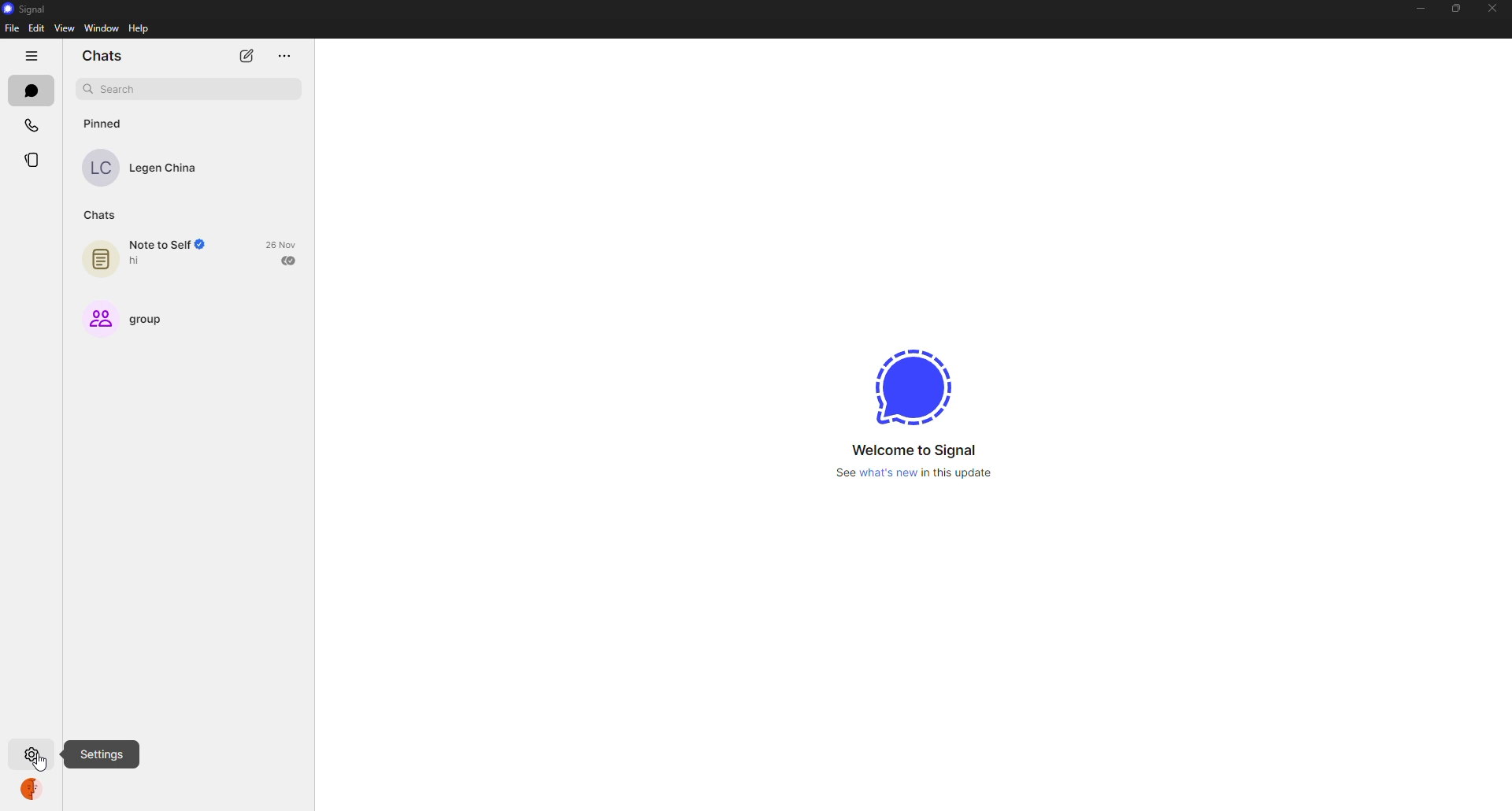  Describe the element at coordinates (35, 791) in the screenshot. I see `profile` at that location.